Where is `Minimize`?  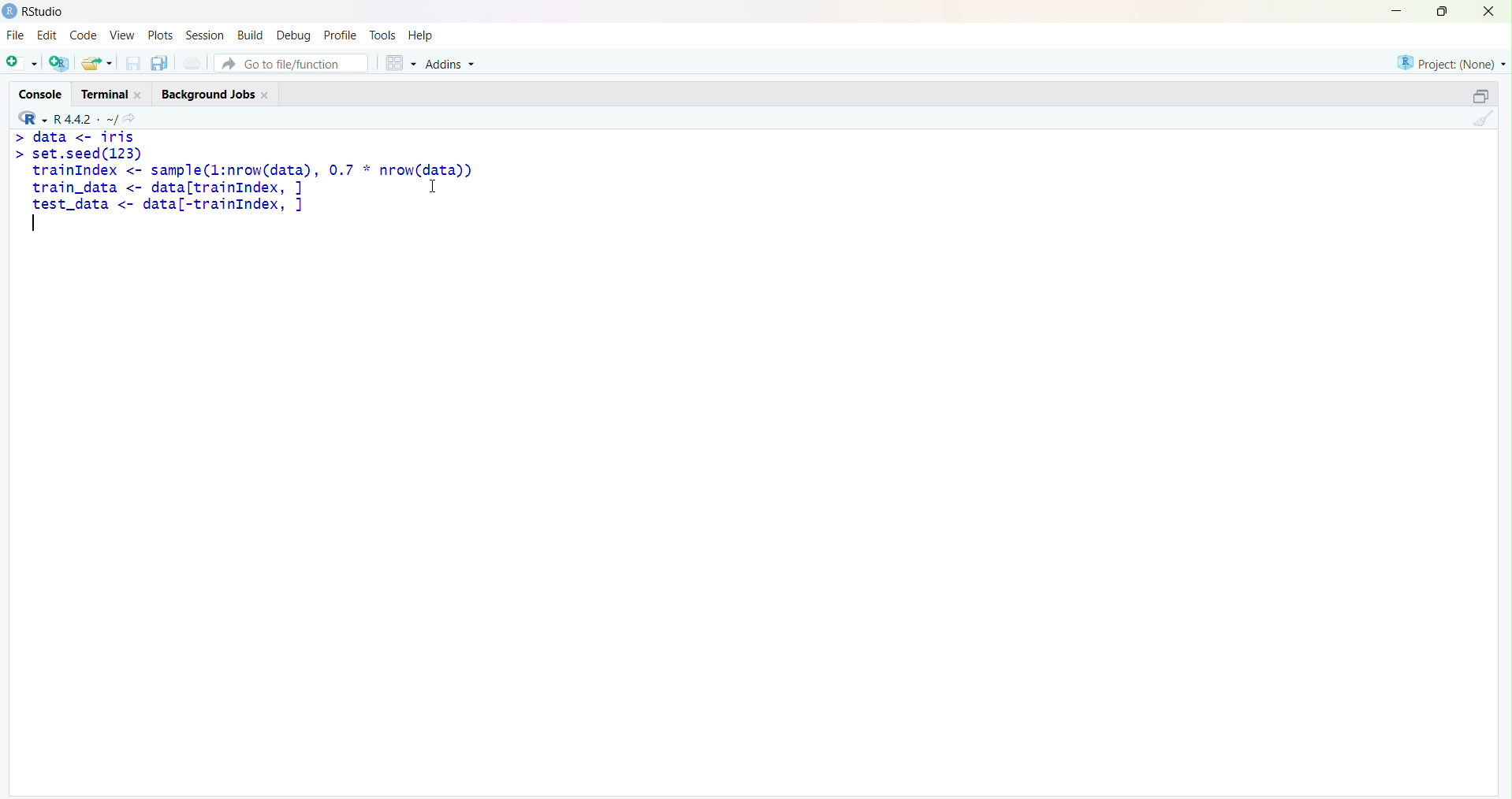 Minimize is located at coordinates (1398, 10).